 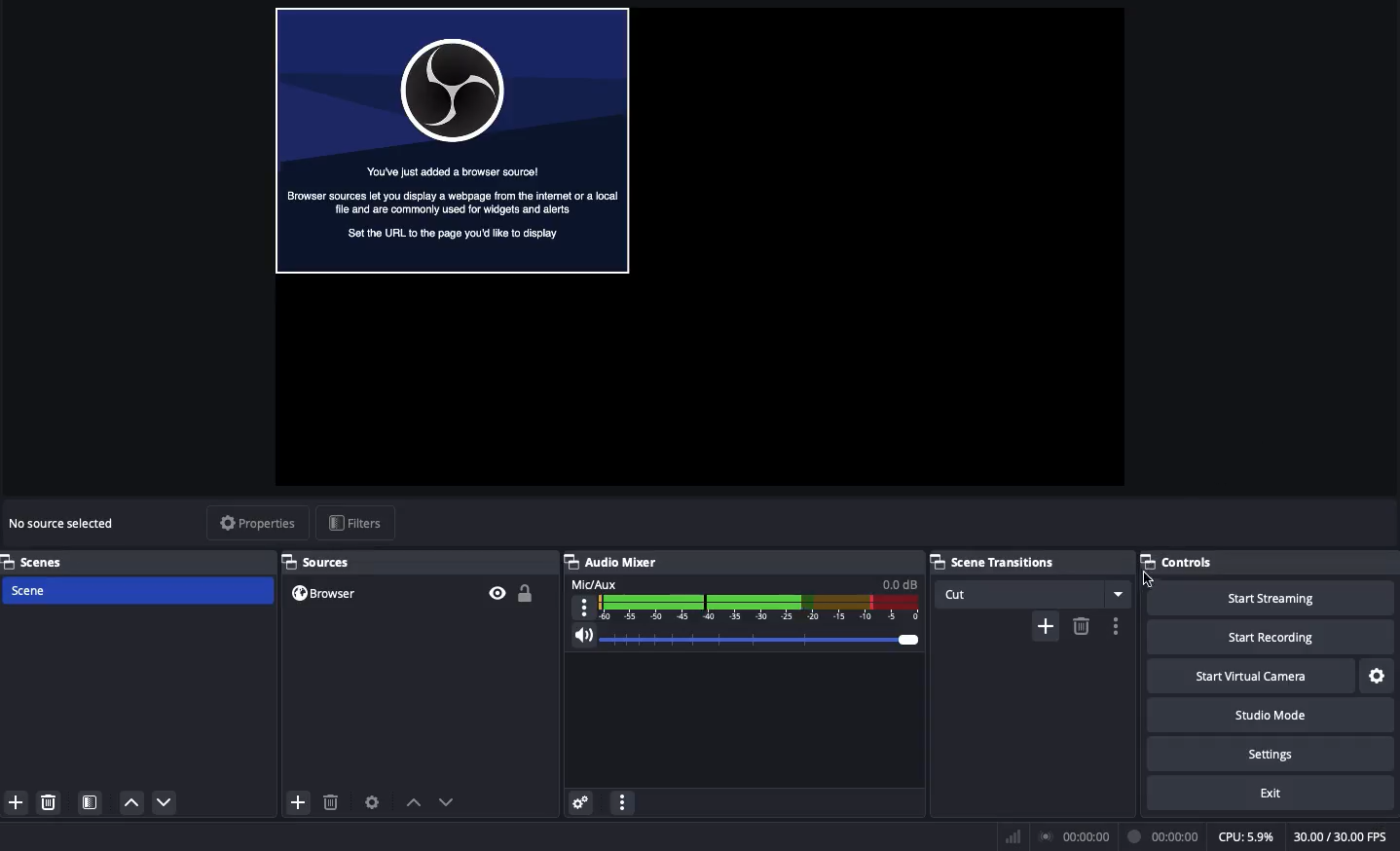 What do you see at coordinates (327, 594) in the screenshot?
I see `Browser` at bounding box center [327, 594].